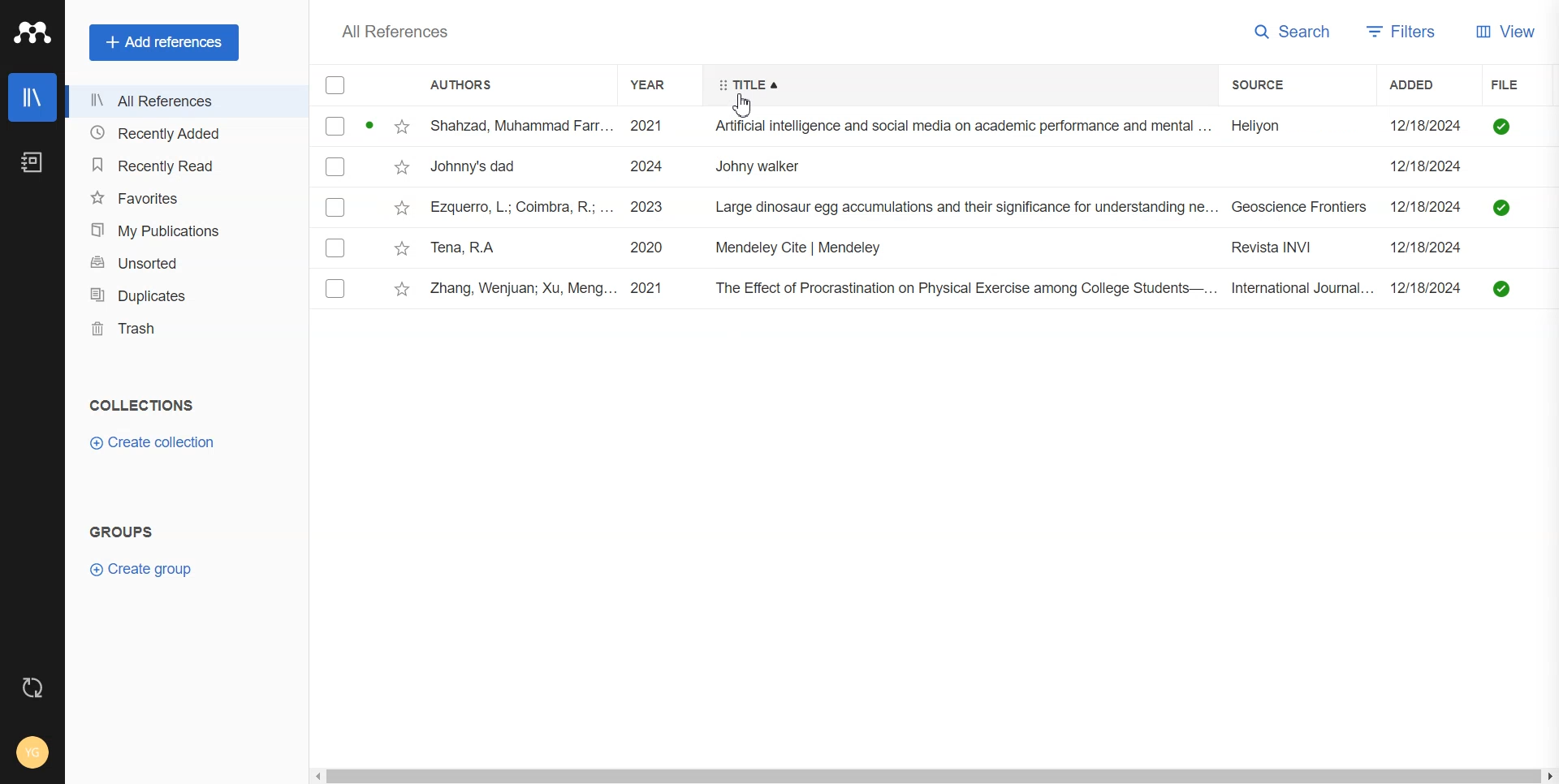 Image resolution: width=1559 pixels, height=784 pixels. I want to click on select entry, so click(335, 166).